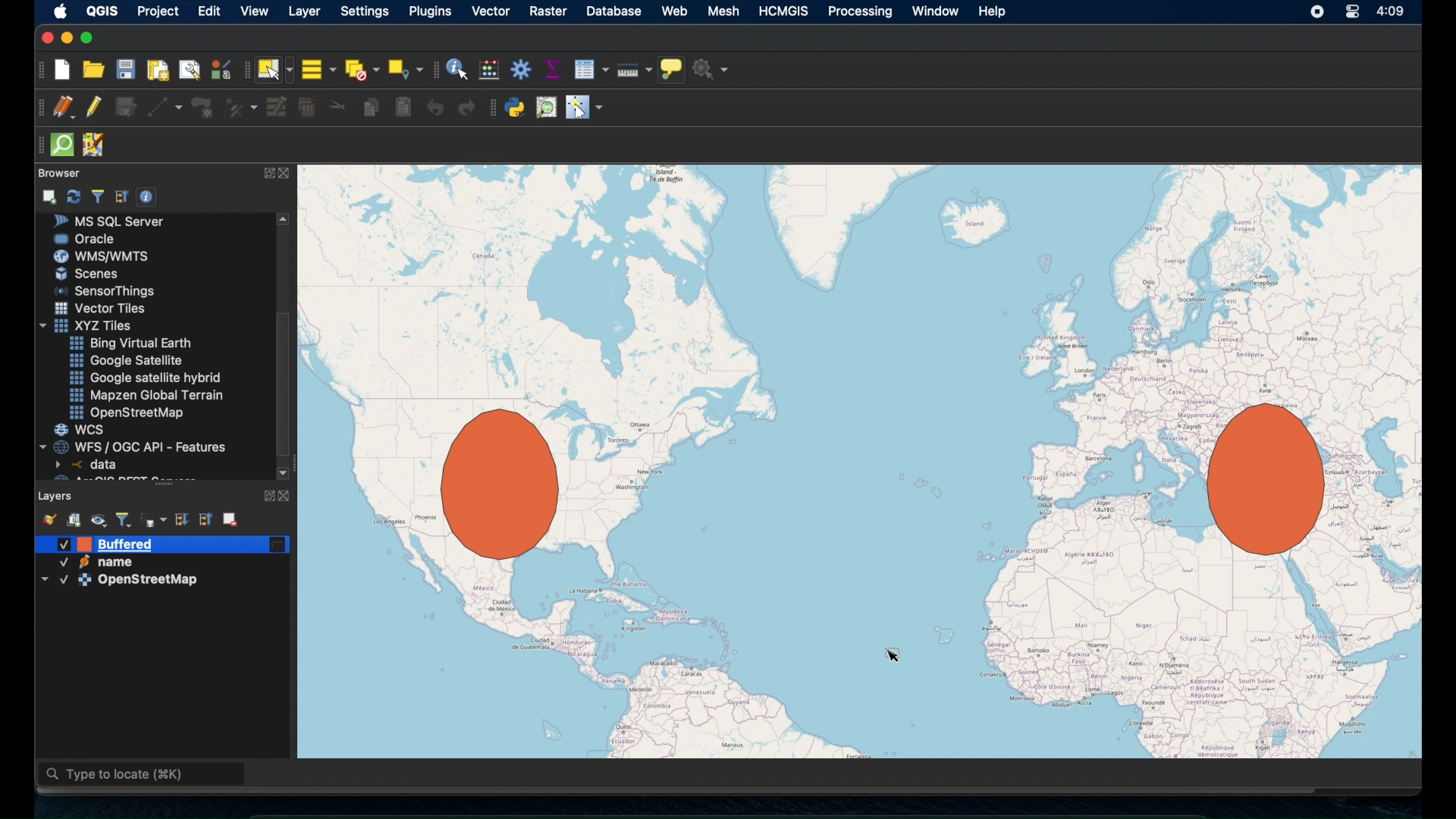 The image size is (1456, 819). I want to click on expand, so click(267, 172).